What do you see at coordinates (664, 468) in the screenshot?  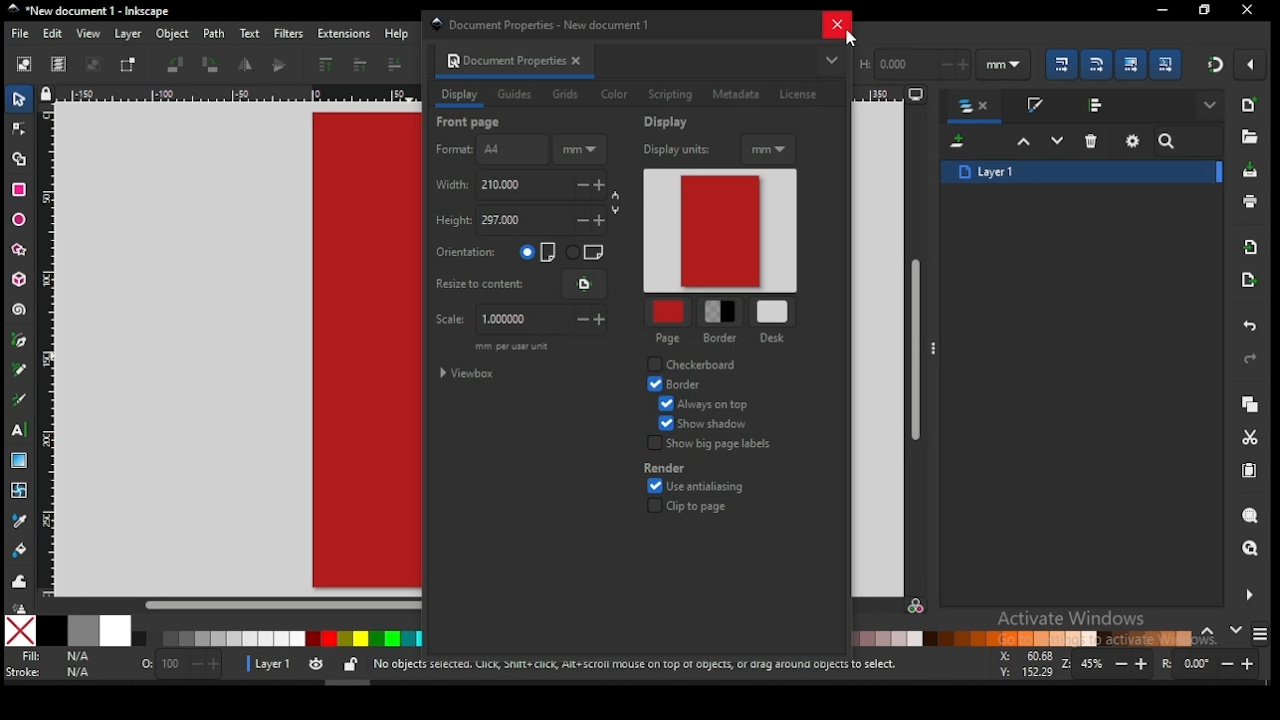 I see `border` at bounding box center [664, 468].